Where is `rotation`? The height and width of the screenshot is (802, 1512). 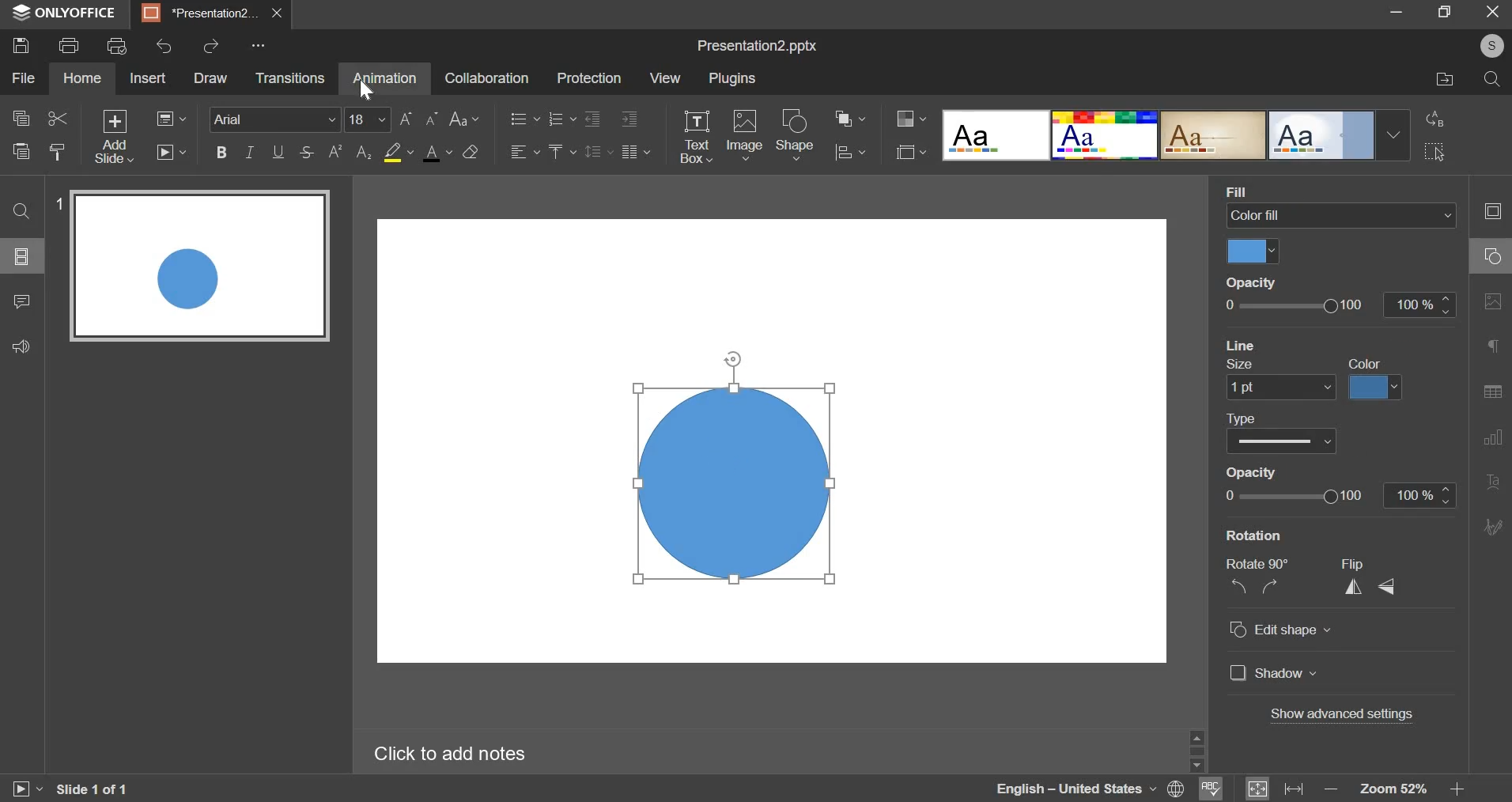 rotation is located at coordinates (1257, 581).